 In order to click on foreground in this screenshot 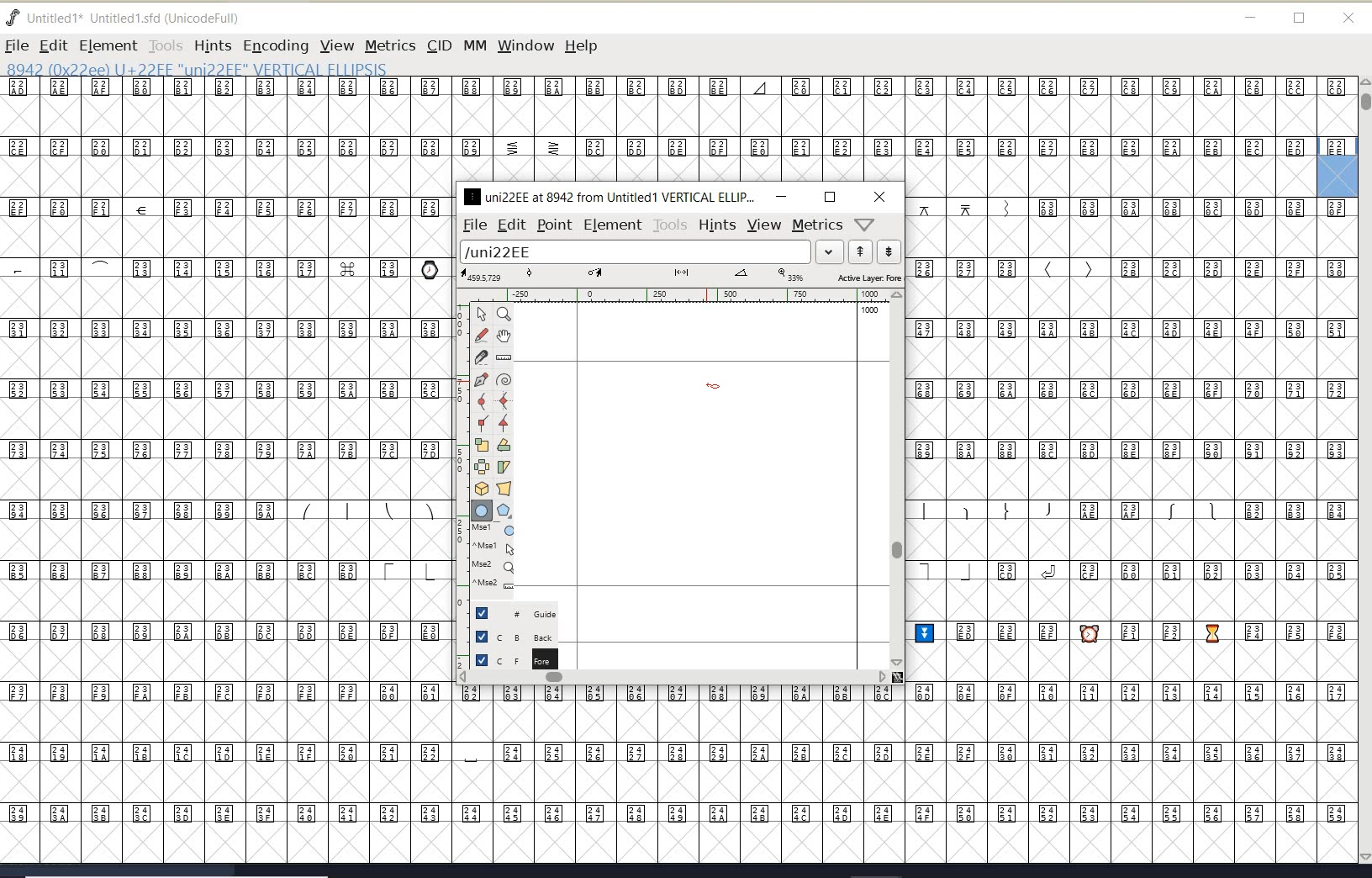, I will do `click(514, 658)`.